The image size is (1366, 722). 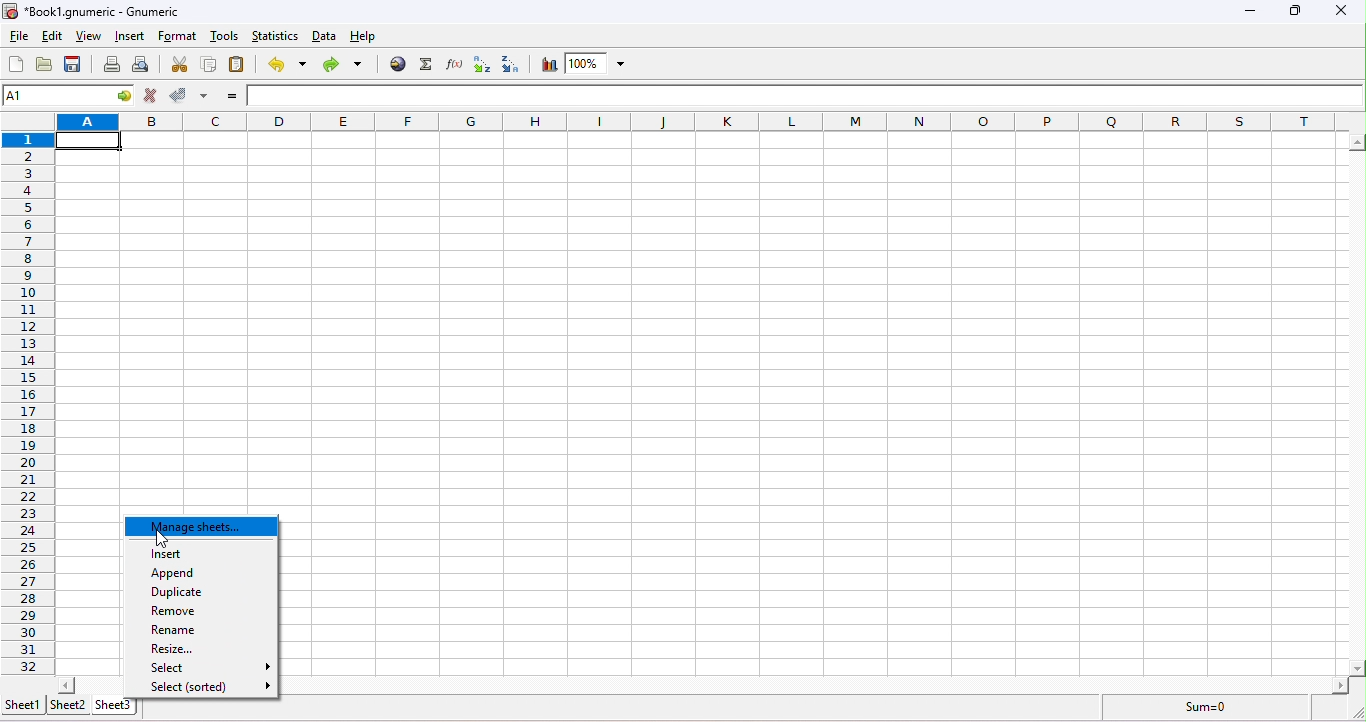 I want to click on edit a function in the current cell, so click(x=453, y=63).